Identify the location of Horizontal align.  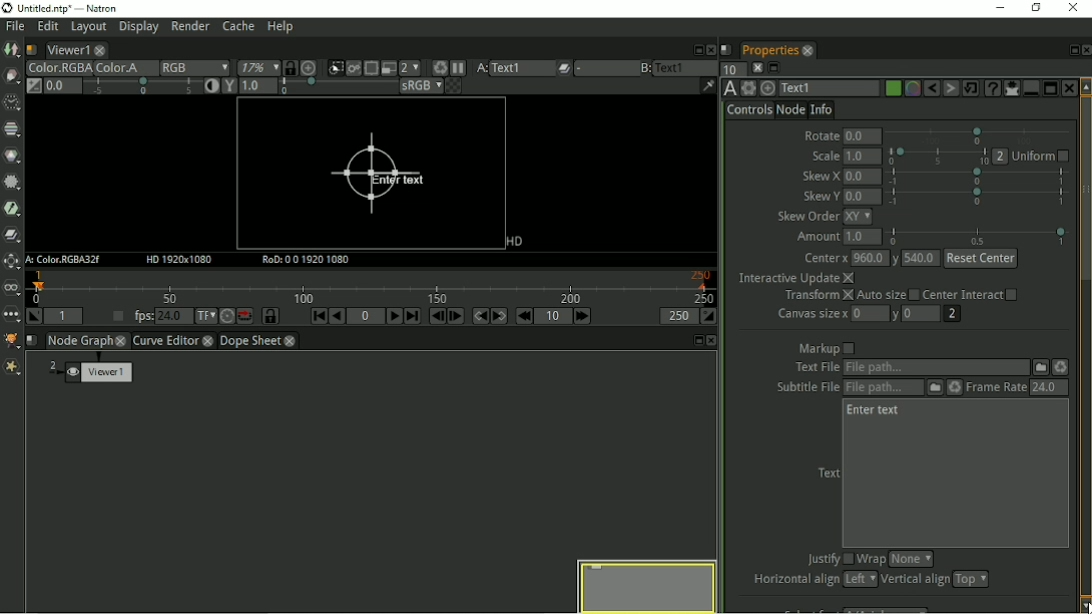
(793, 580).